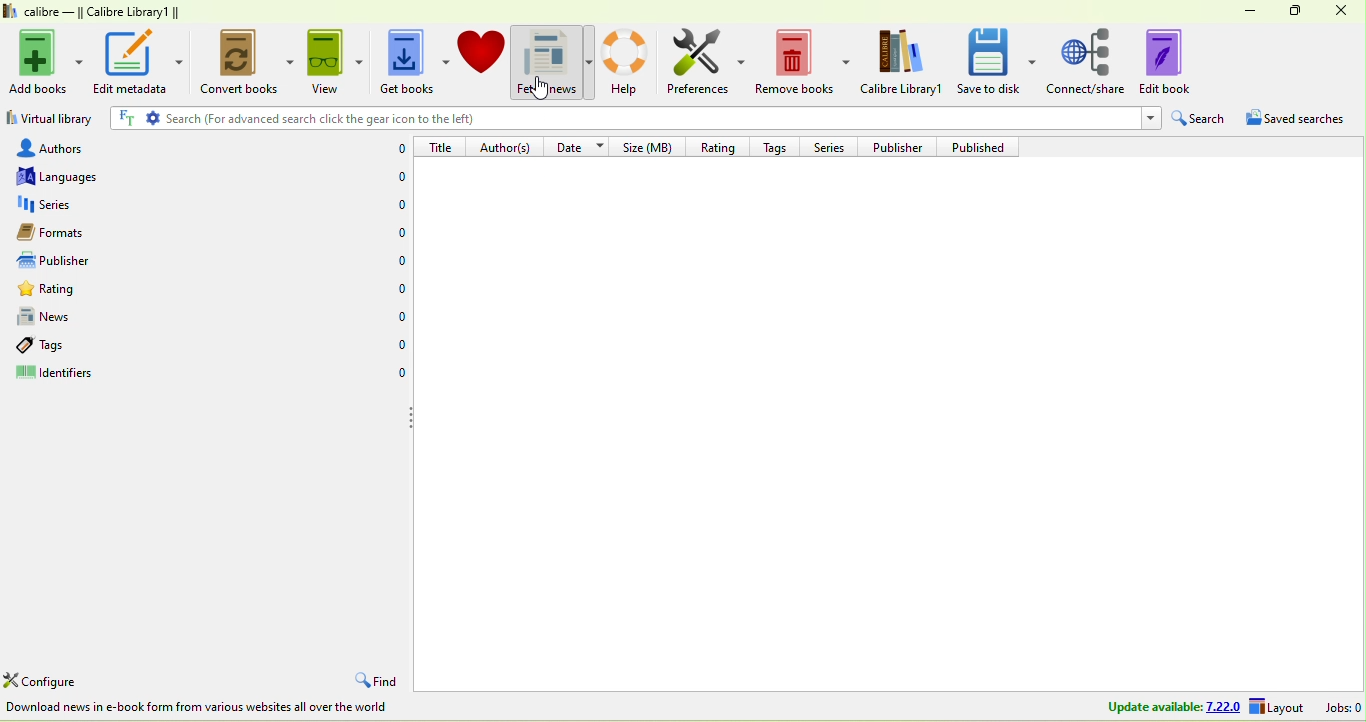  Describe the element at coordinates (903, 63) in the screenshot. I see `calibre library 1` at that location.